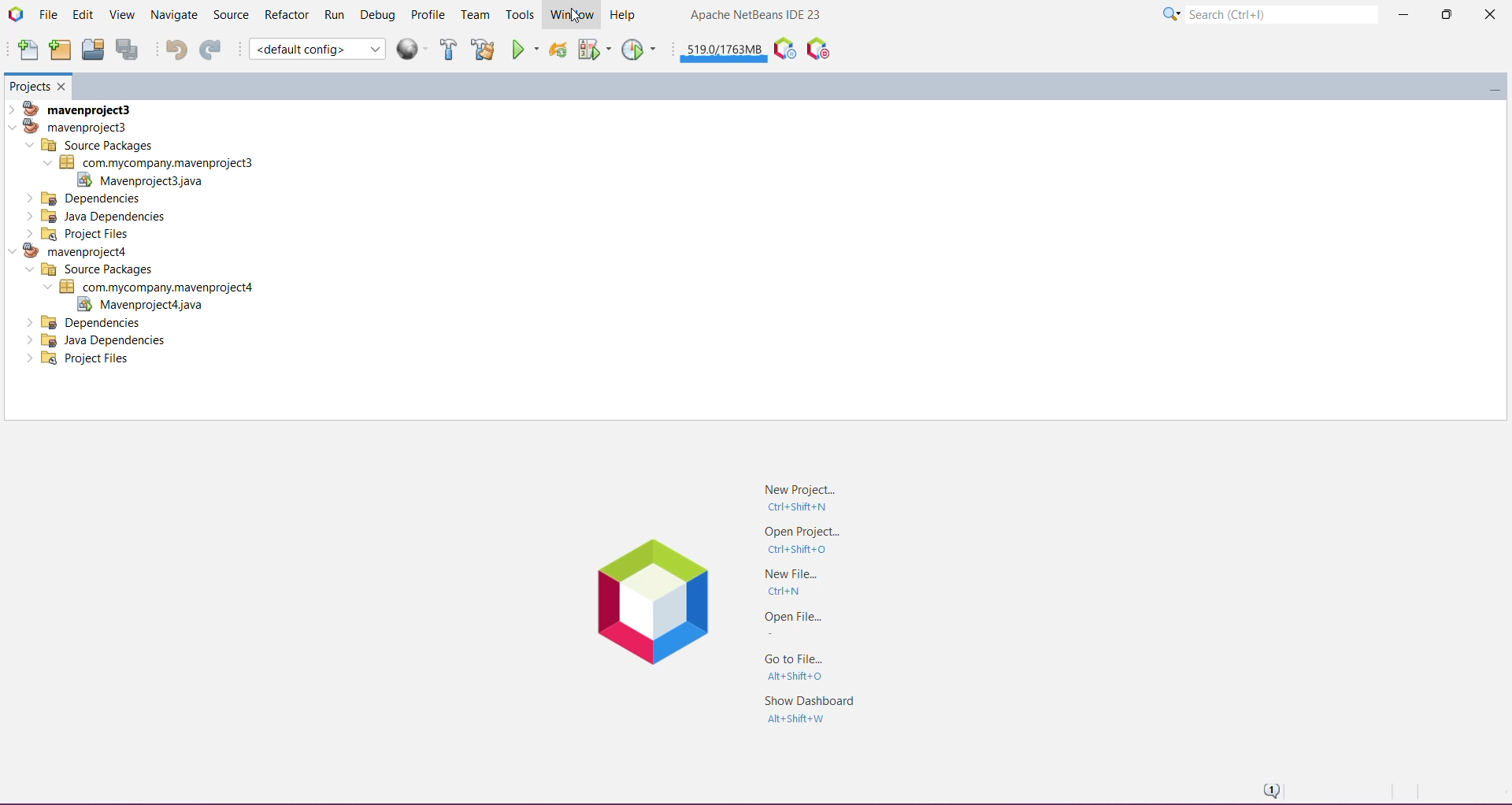 This screenshot has width=1512, height=805. Describe the element at coordinates (378, 13) in the screenshot. I see `Debug` at that location.